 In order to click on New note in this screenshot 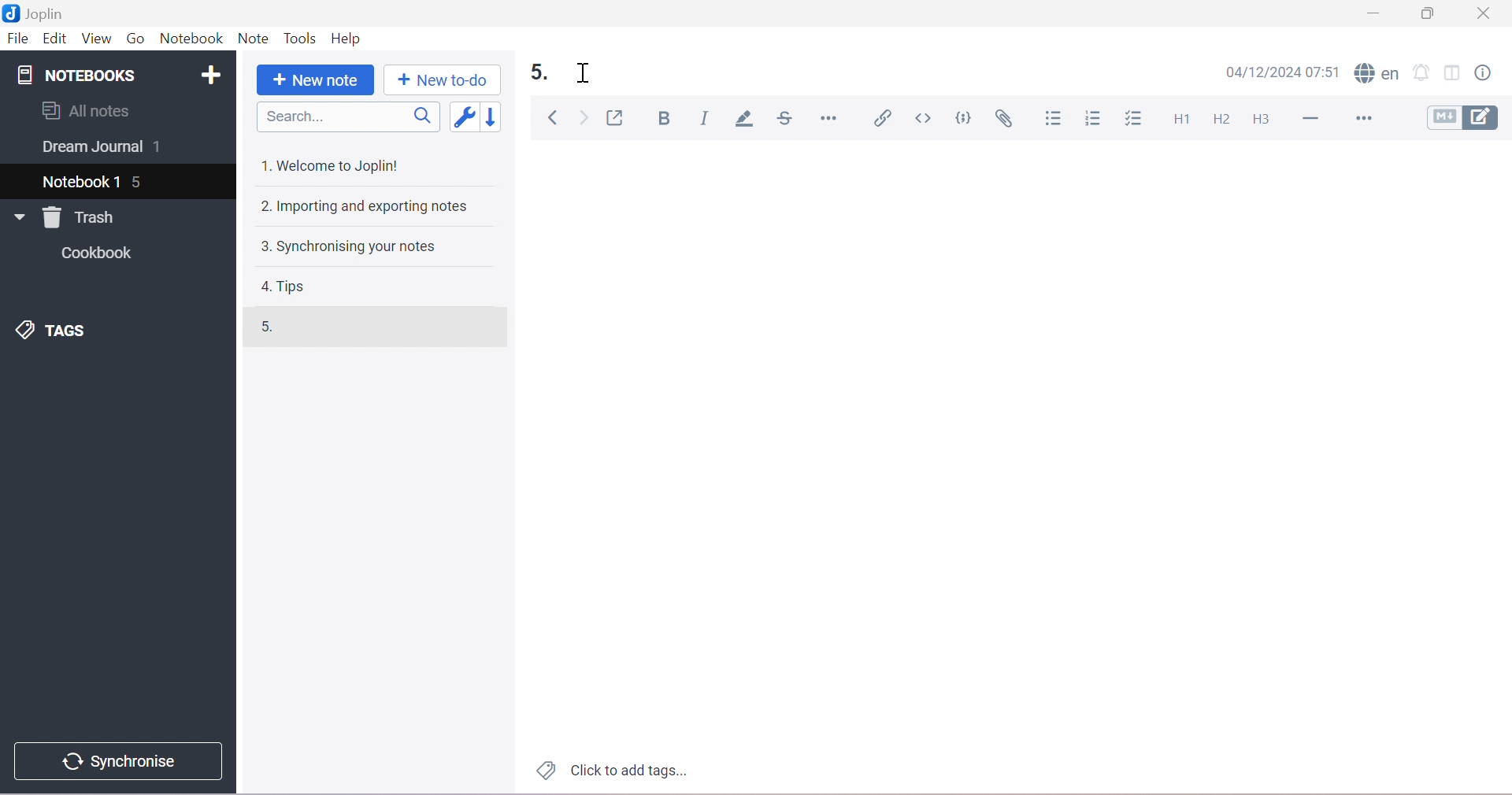, I will do `click(313, 80)`.